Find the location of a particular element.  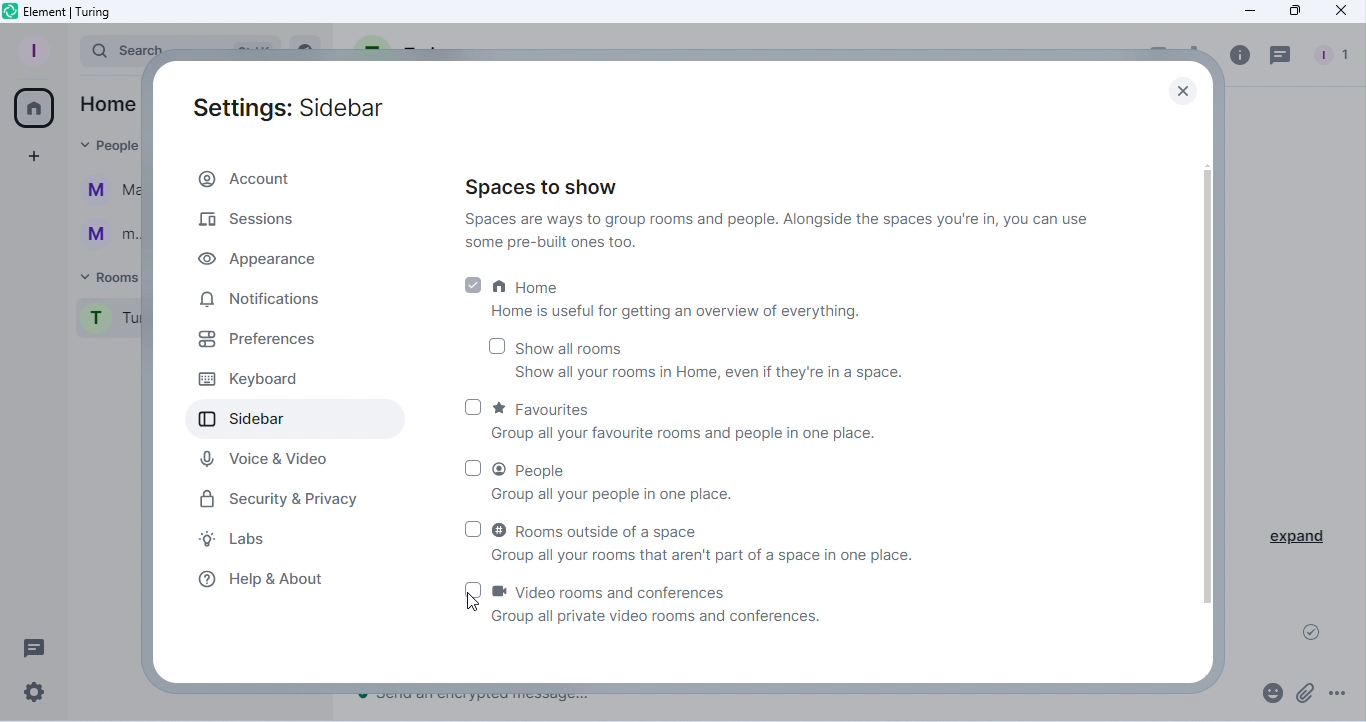

Security and privacy is located at coordinates (275, 496).